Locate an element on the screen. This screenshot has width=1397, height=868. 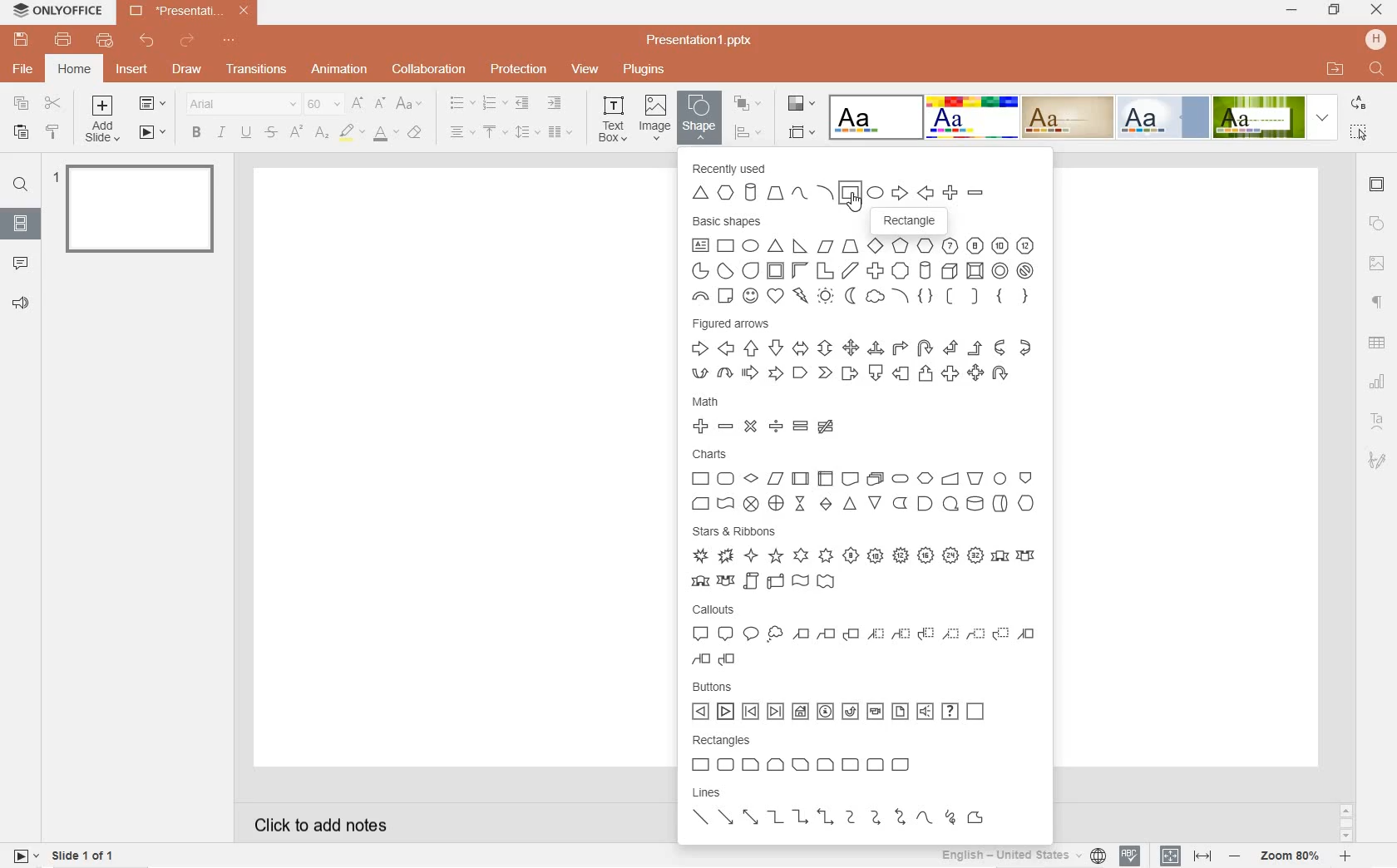
save is located at coordinates (21, 40).